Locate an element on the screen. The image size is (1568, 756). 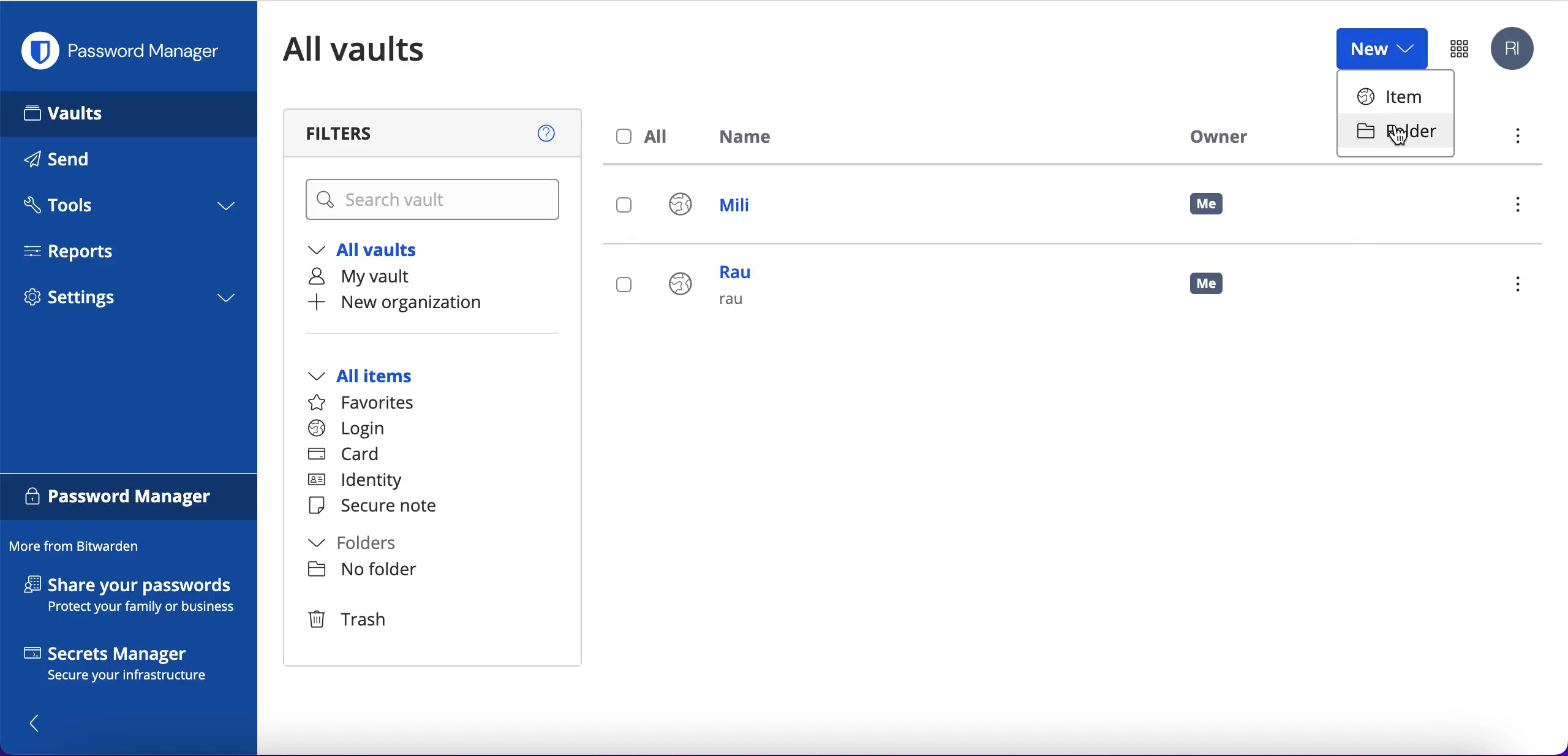
reports is located at coordinates (78, 251).